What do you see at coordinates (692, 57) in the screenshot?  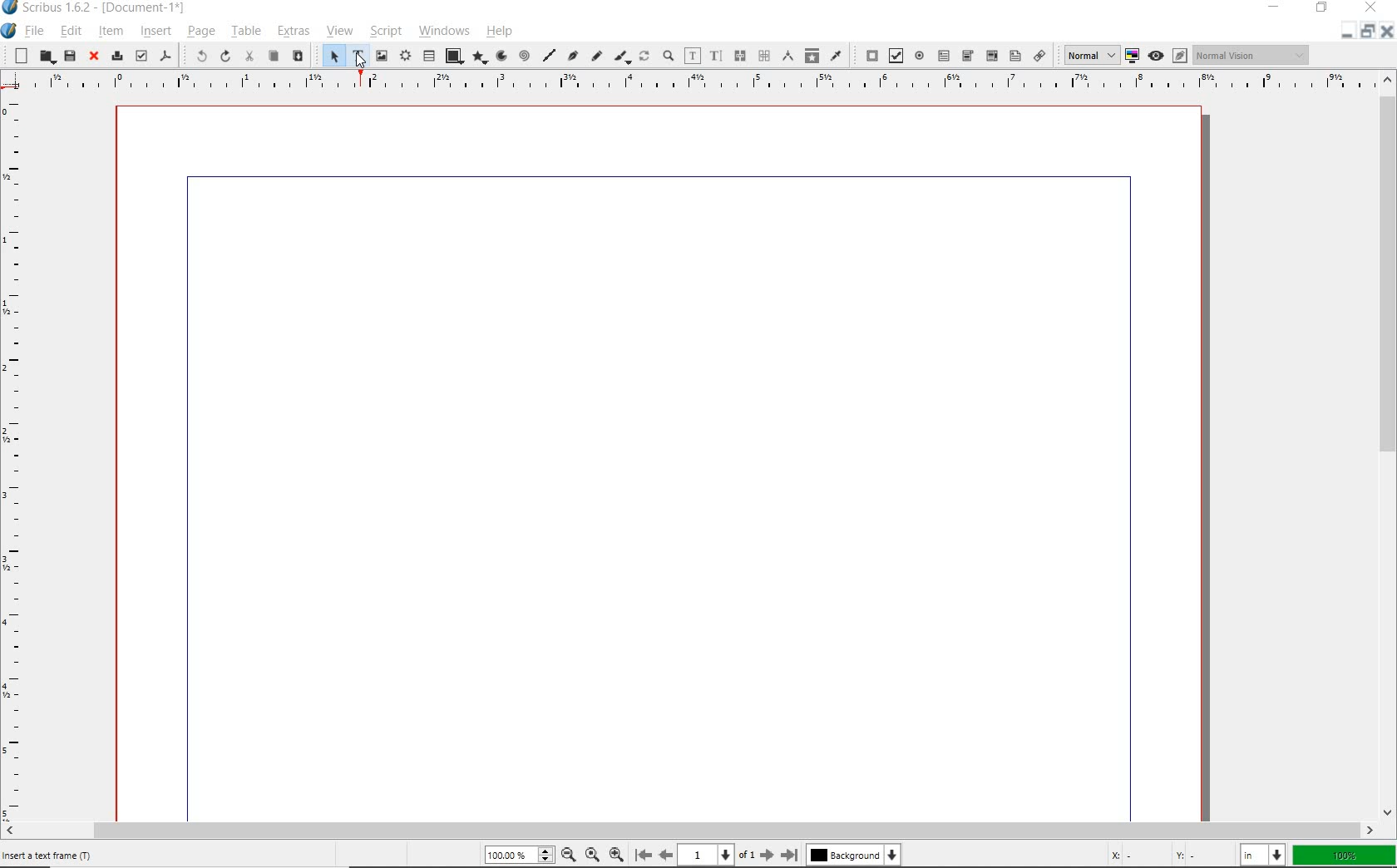 I see `edit contents of frame` at bounding box center [692, 57].